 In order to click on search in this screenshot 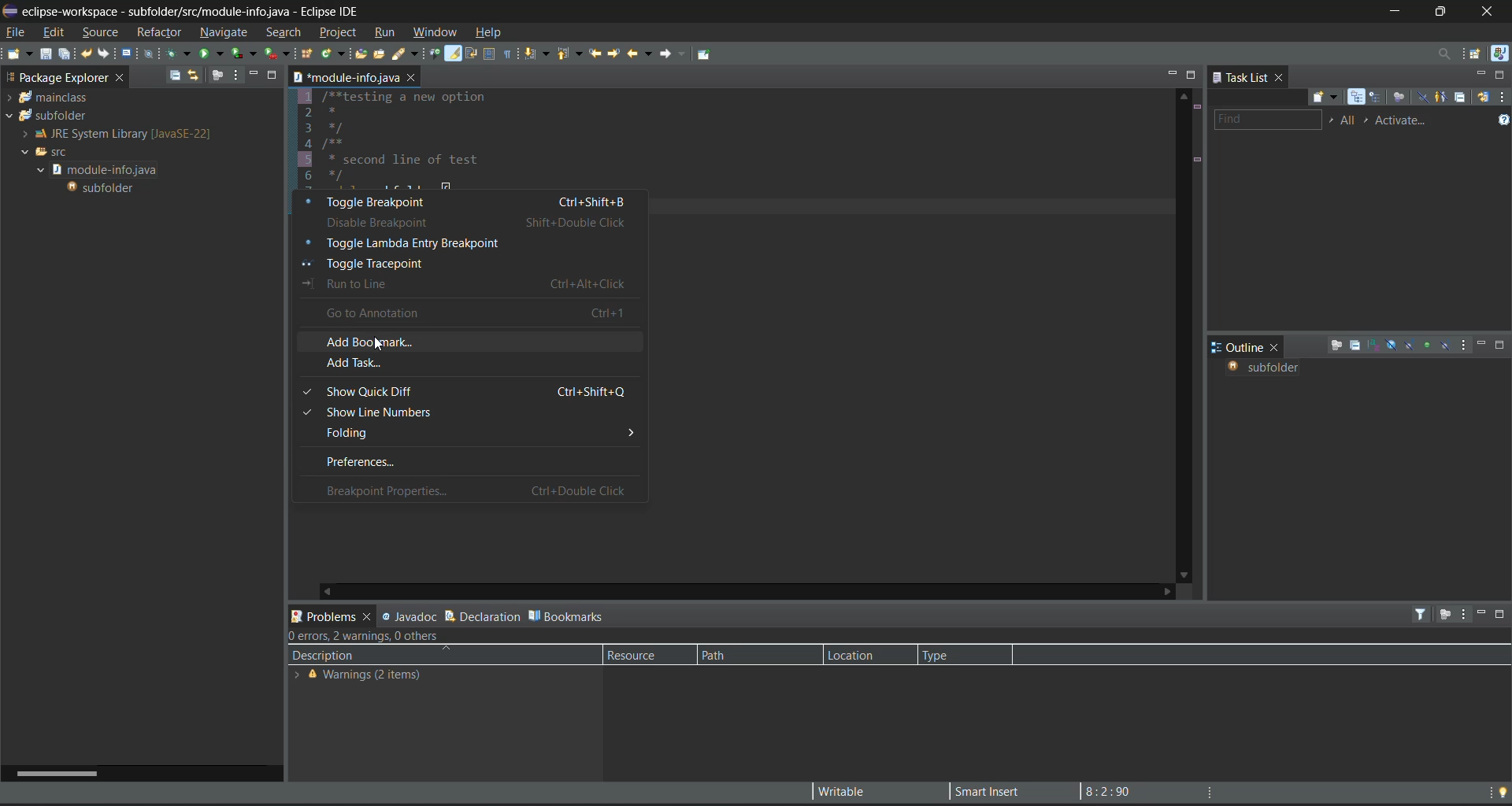, I will do `click(406, 57)`.